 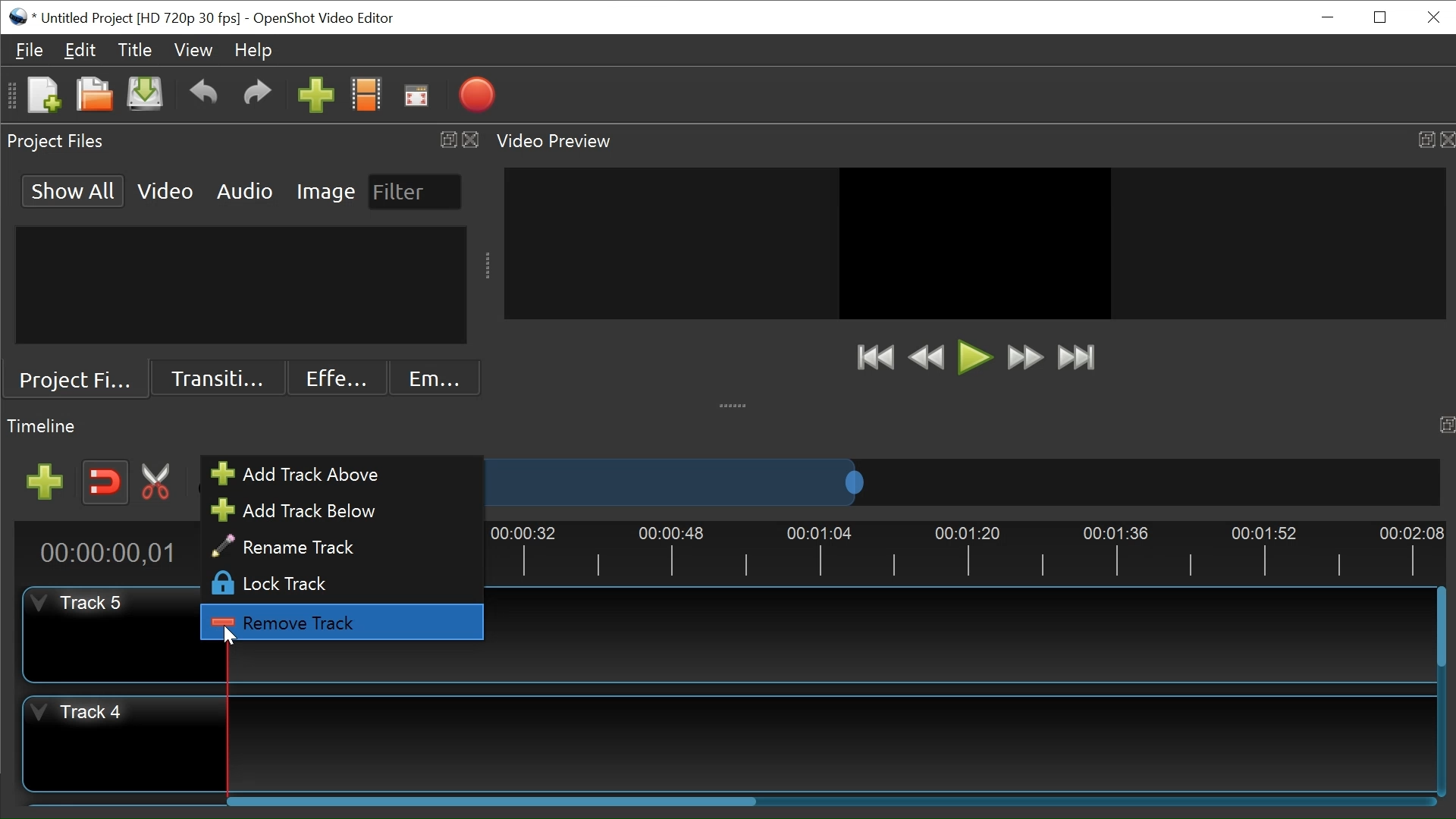 I want to click on Razor, so click(x=158, y=482).